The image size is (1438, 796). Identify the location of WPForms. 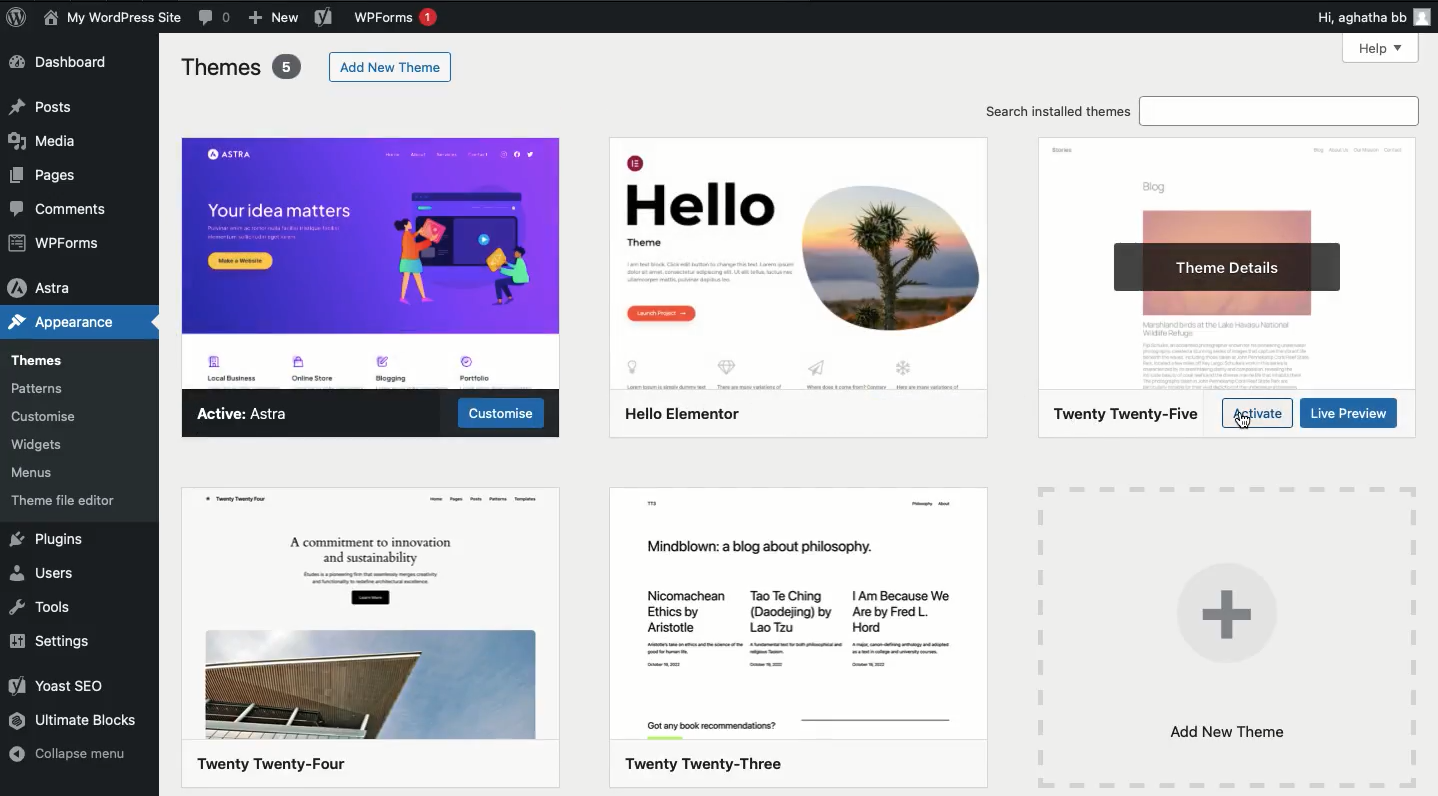
(394, 18).